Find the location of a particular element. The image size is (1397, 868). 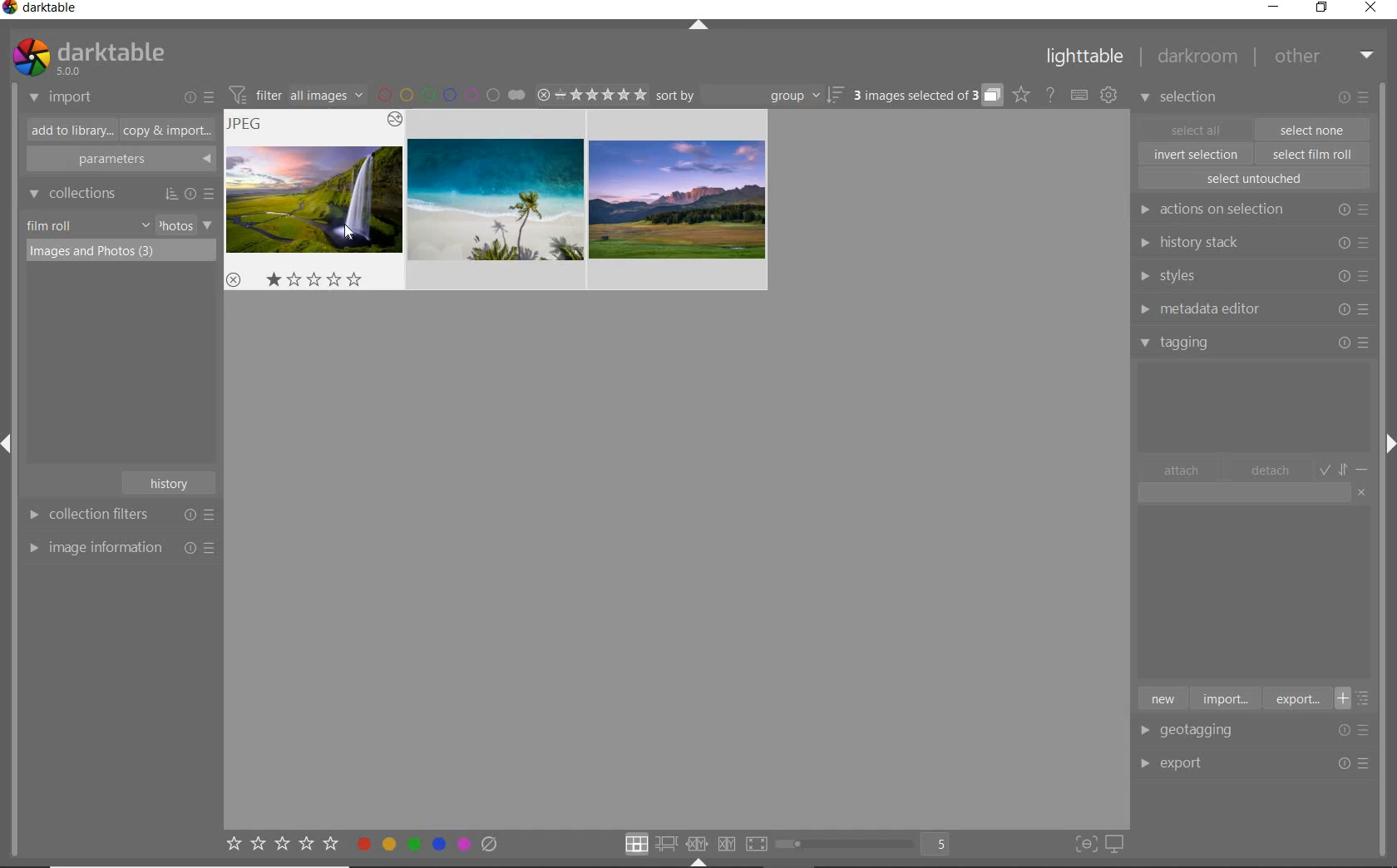

close is located at coordinates (1374, 9).